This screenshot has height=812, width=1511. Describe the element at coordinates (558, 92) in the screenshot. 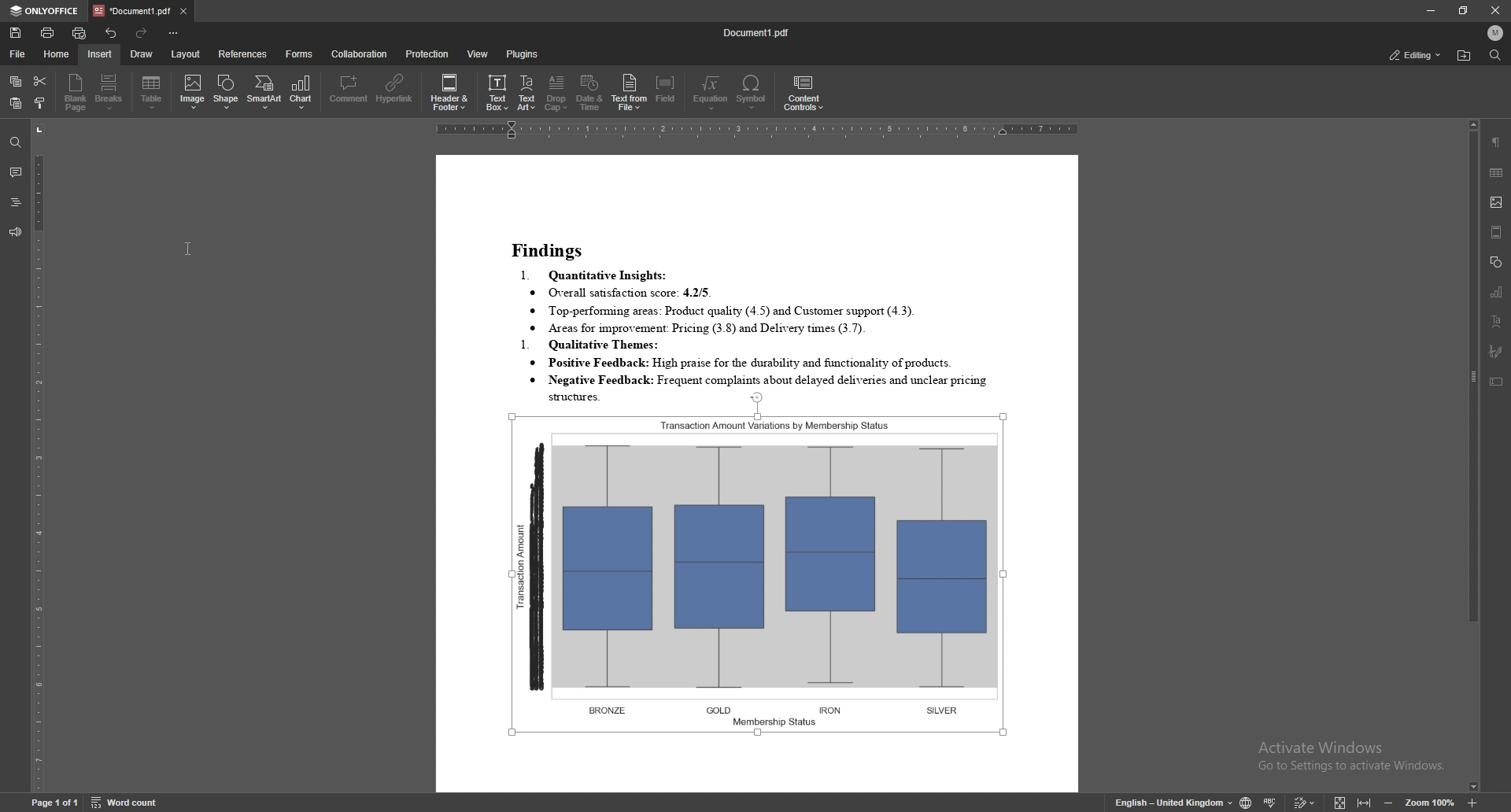

I see `drop cap` at that location.